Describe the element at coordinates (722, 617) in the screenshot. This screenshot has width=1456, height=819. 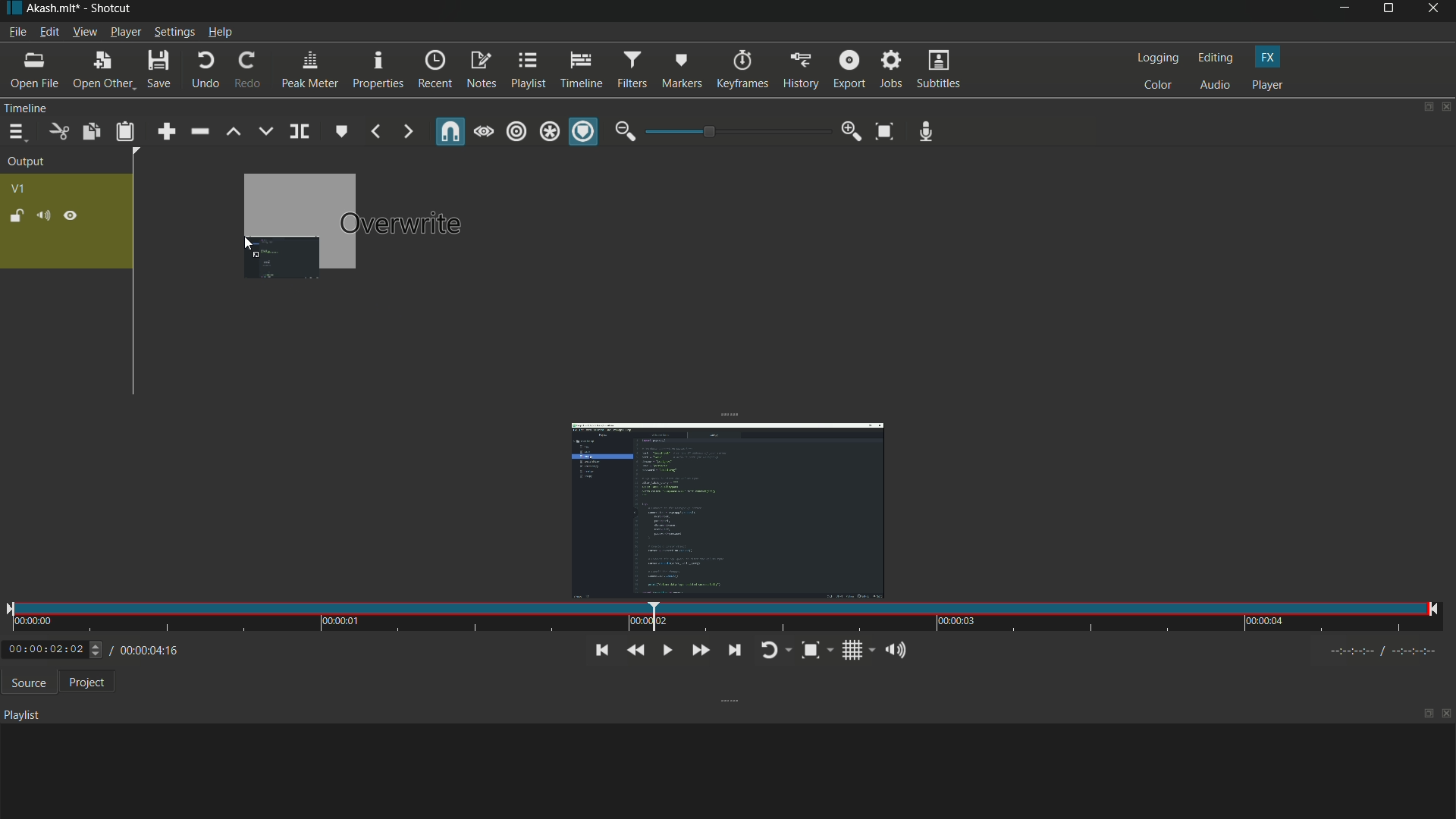
I see `time` at that location.